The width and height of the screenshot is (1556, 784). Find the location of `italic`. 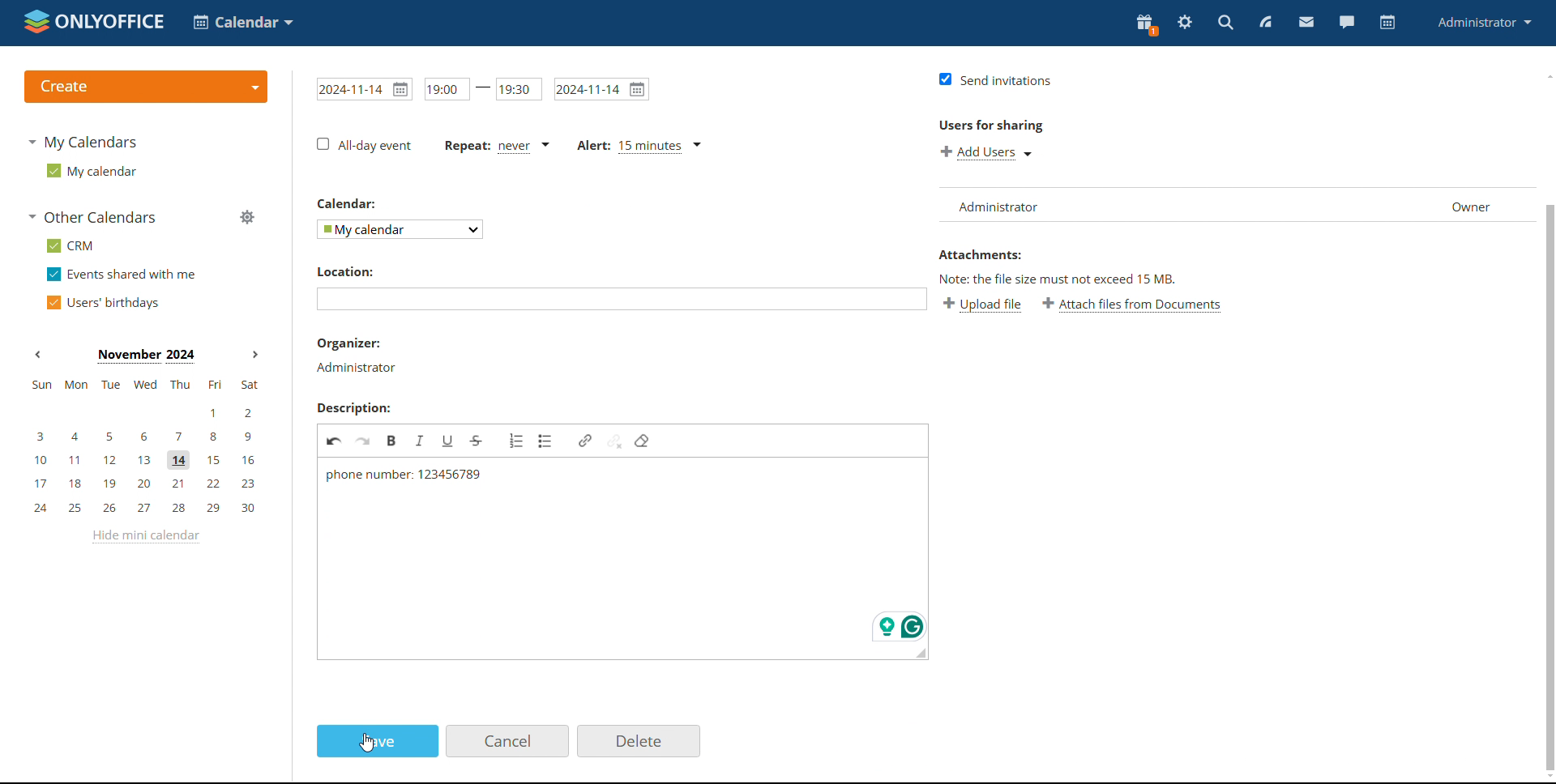

italic is located at coordinates (417, 441).